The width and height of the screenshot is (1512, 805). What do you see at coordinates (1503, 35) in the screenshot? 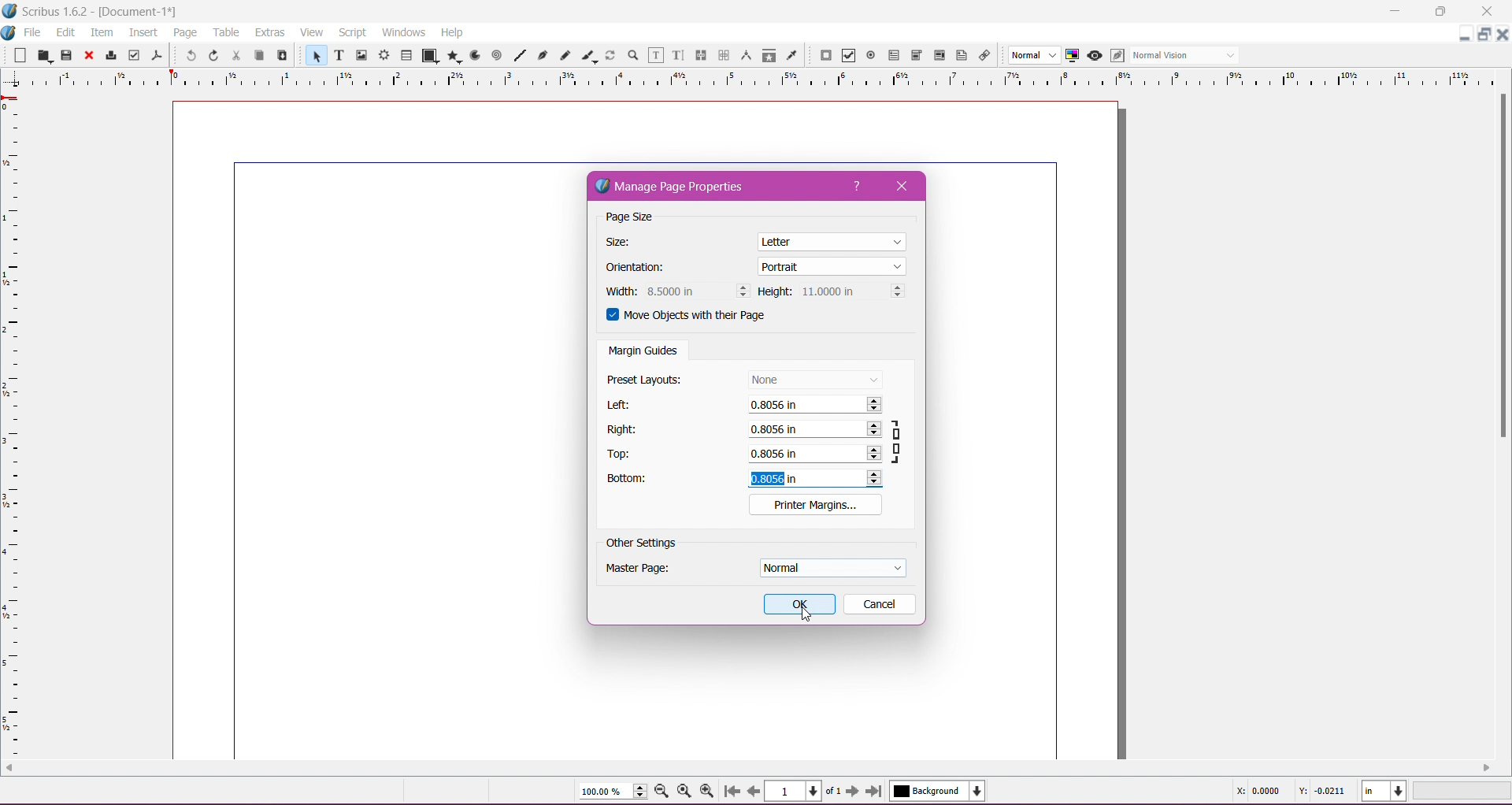
I see `Close Document` at bounding box center [1503, 35].